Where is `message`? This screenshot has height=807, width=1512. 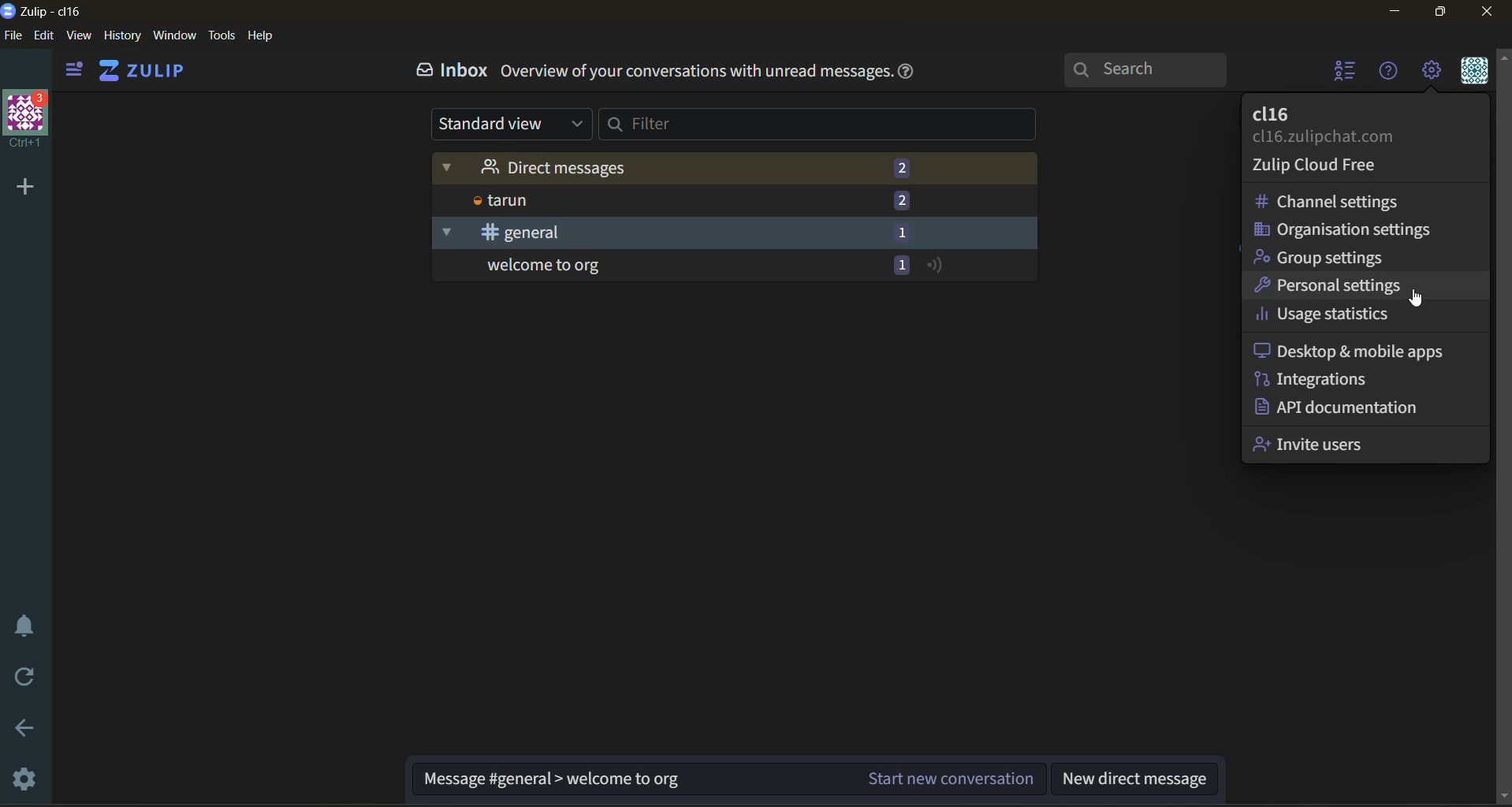
message is located at coordinates (631, 780).